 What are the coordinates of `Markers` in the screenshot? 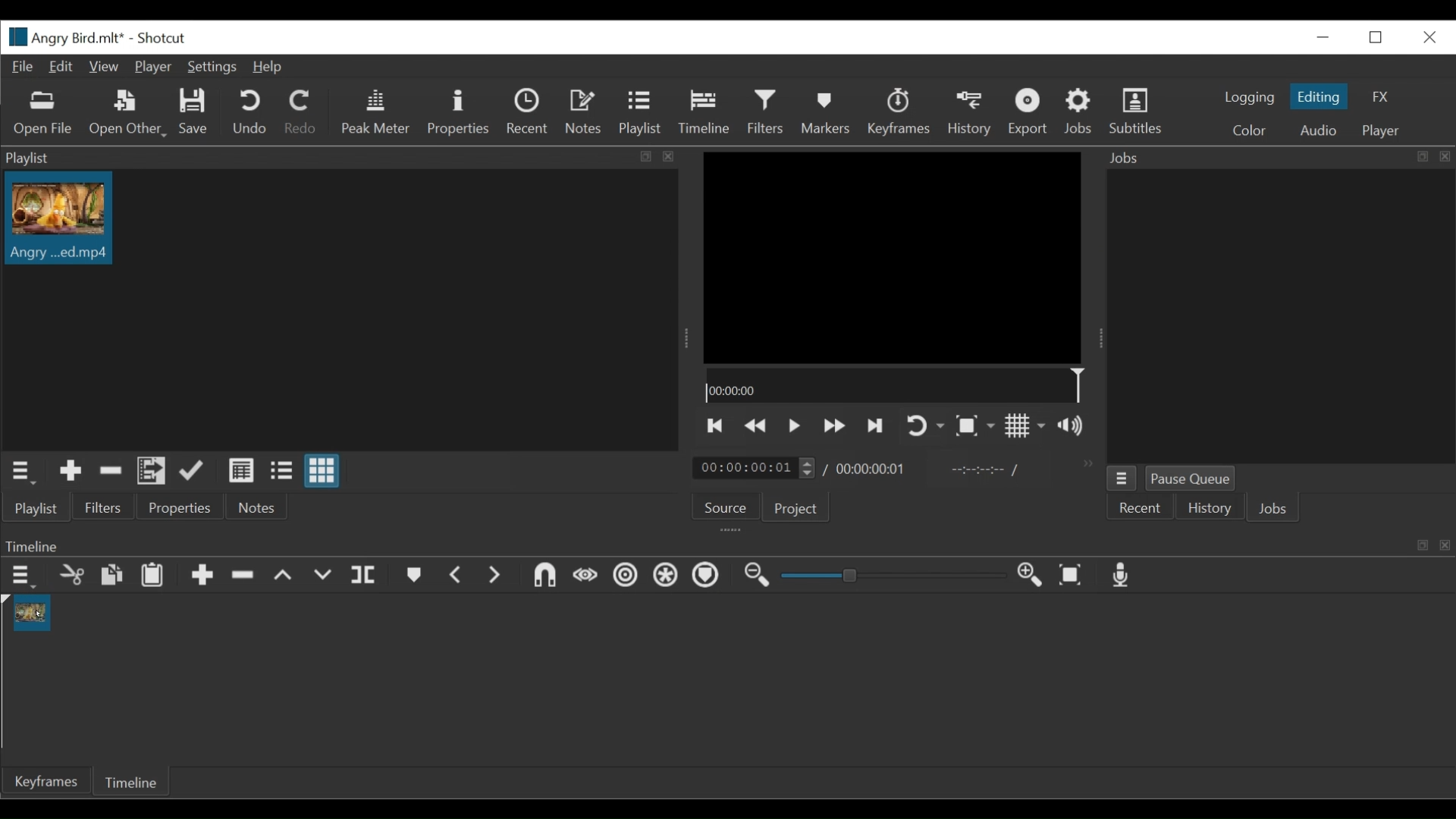 It's located at (413, 577).